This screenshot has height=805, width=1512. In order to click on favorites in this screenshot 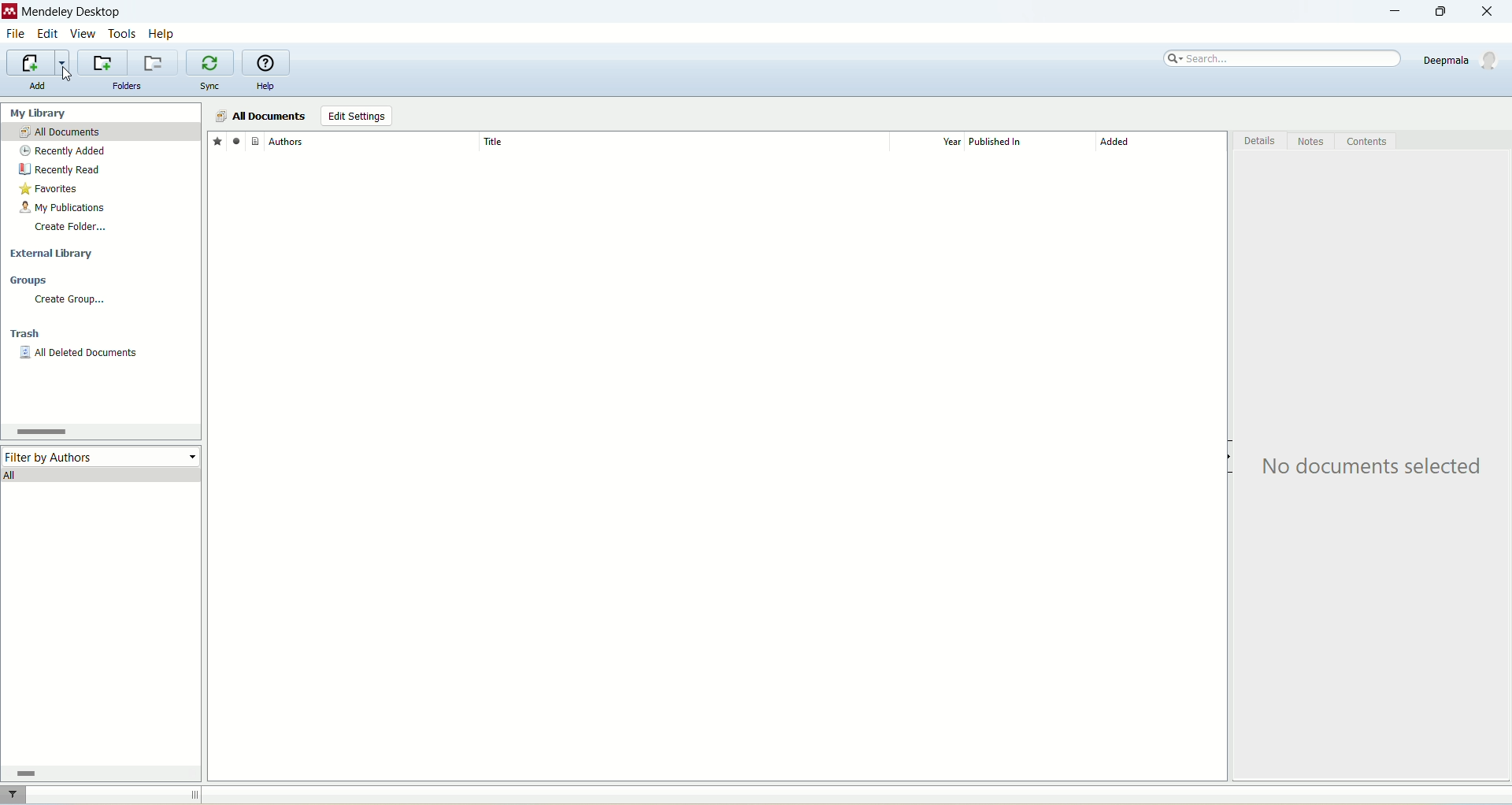, I will do `click(50, 191)`.